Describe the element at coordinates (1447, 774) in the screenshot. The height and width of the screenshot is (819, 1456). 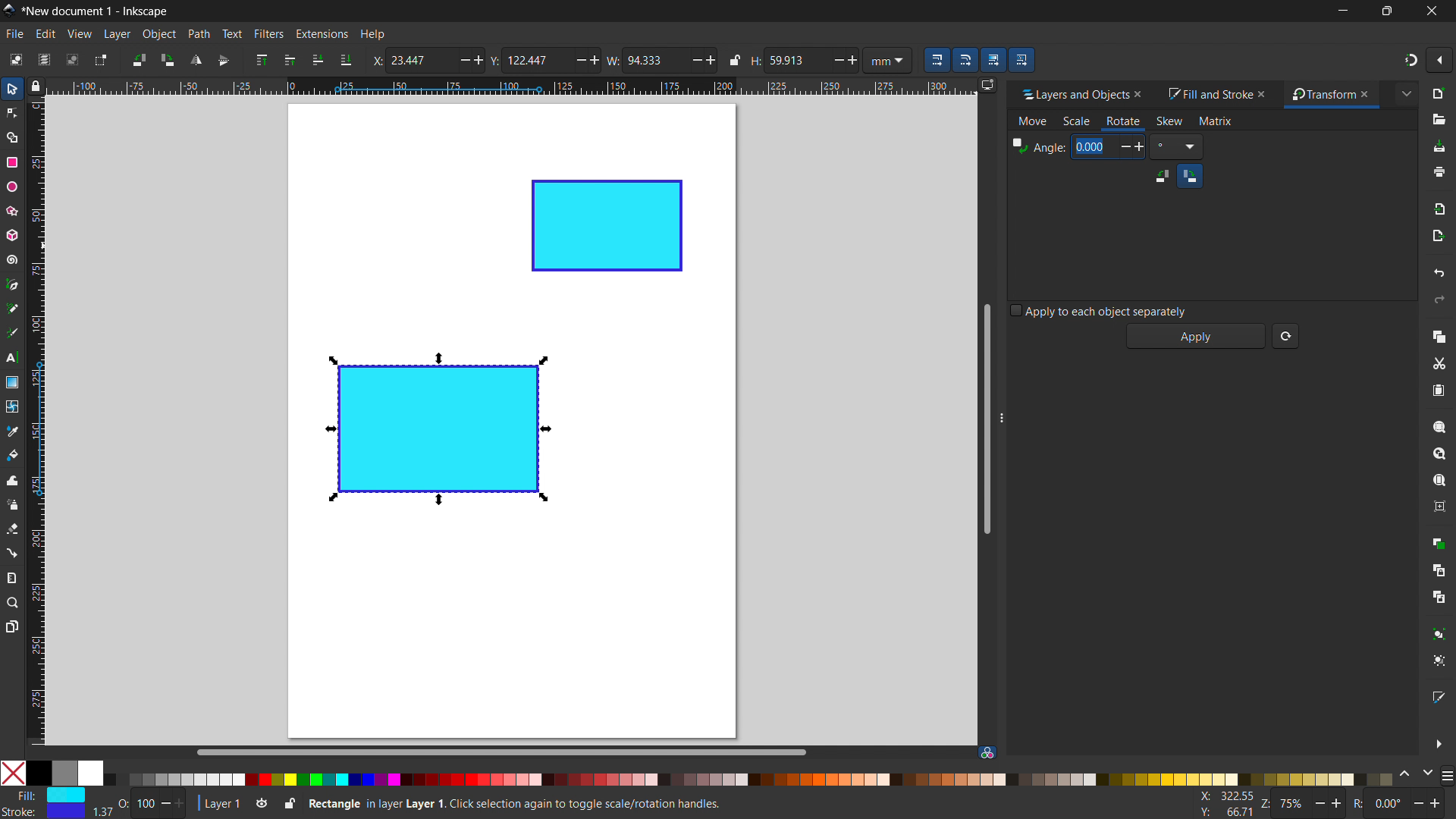
I see `more color opyions` at that location.